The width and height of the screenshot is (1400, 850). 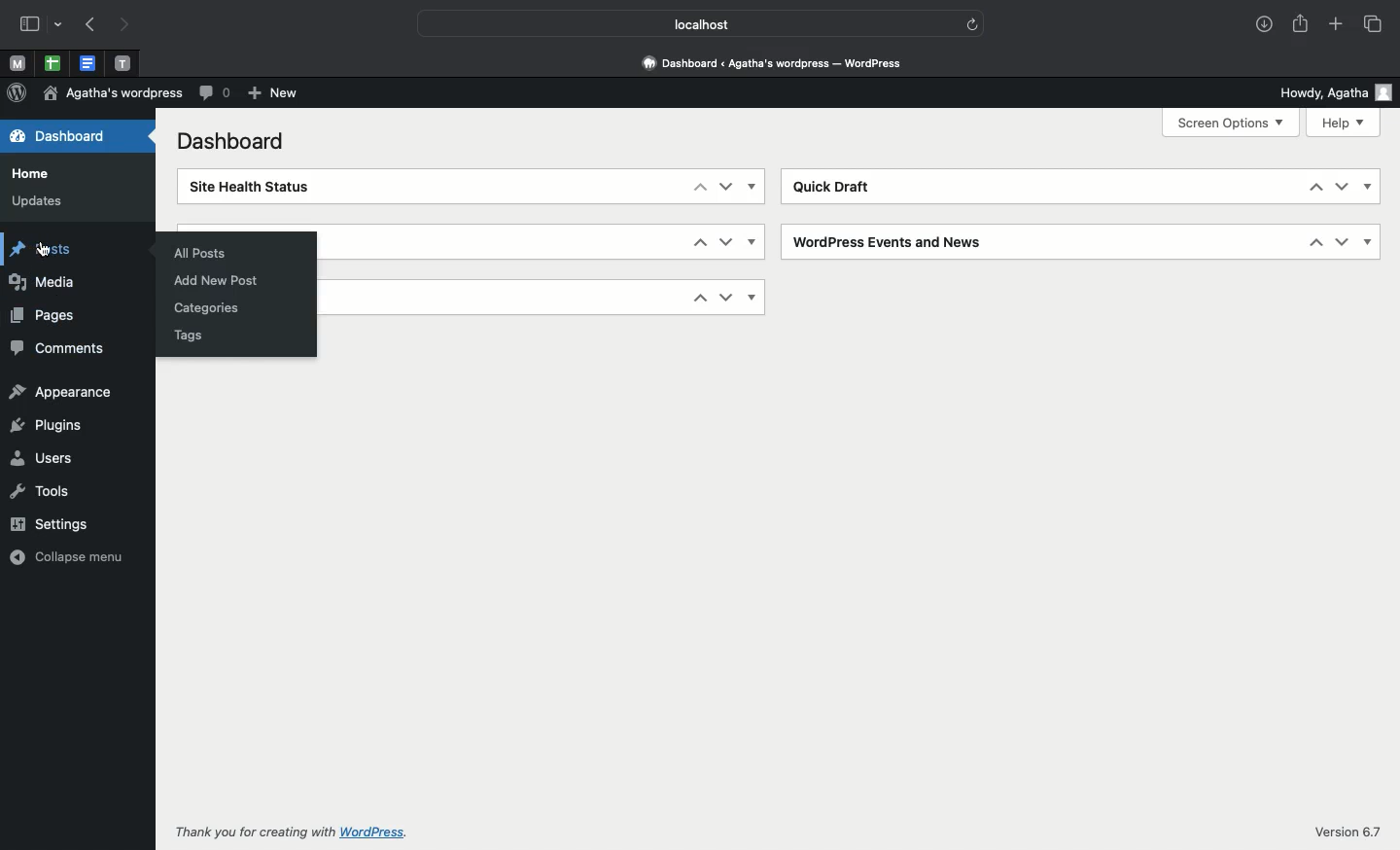 I want to click on excel sheet, so click(x=51, y=62).